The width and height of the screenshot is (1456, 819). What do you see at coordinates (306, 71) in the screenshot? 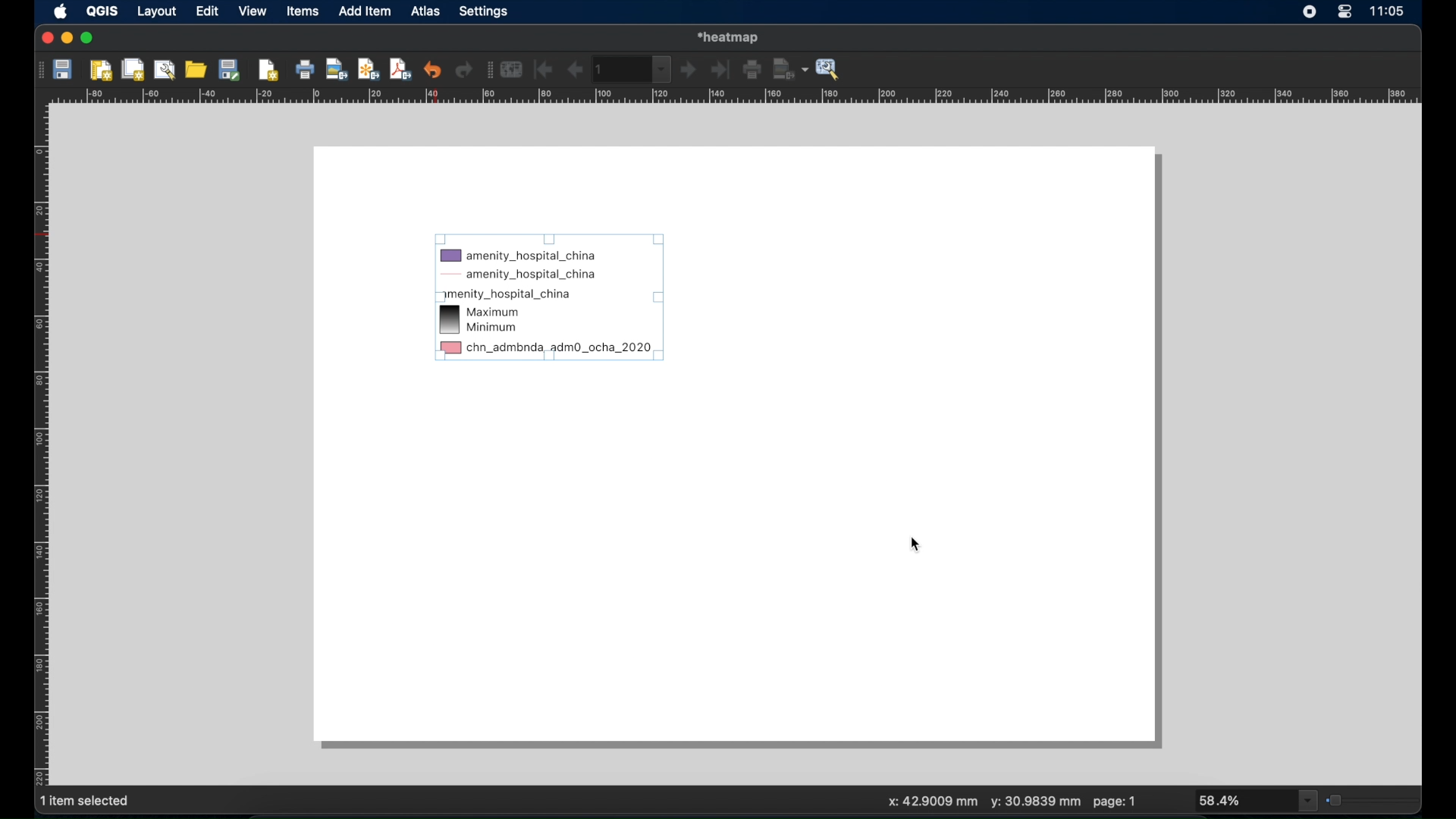
I see `print layout` at bounding box center [306, 71].